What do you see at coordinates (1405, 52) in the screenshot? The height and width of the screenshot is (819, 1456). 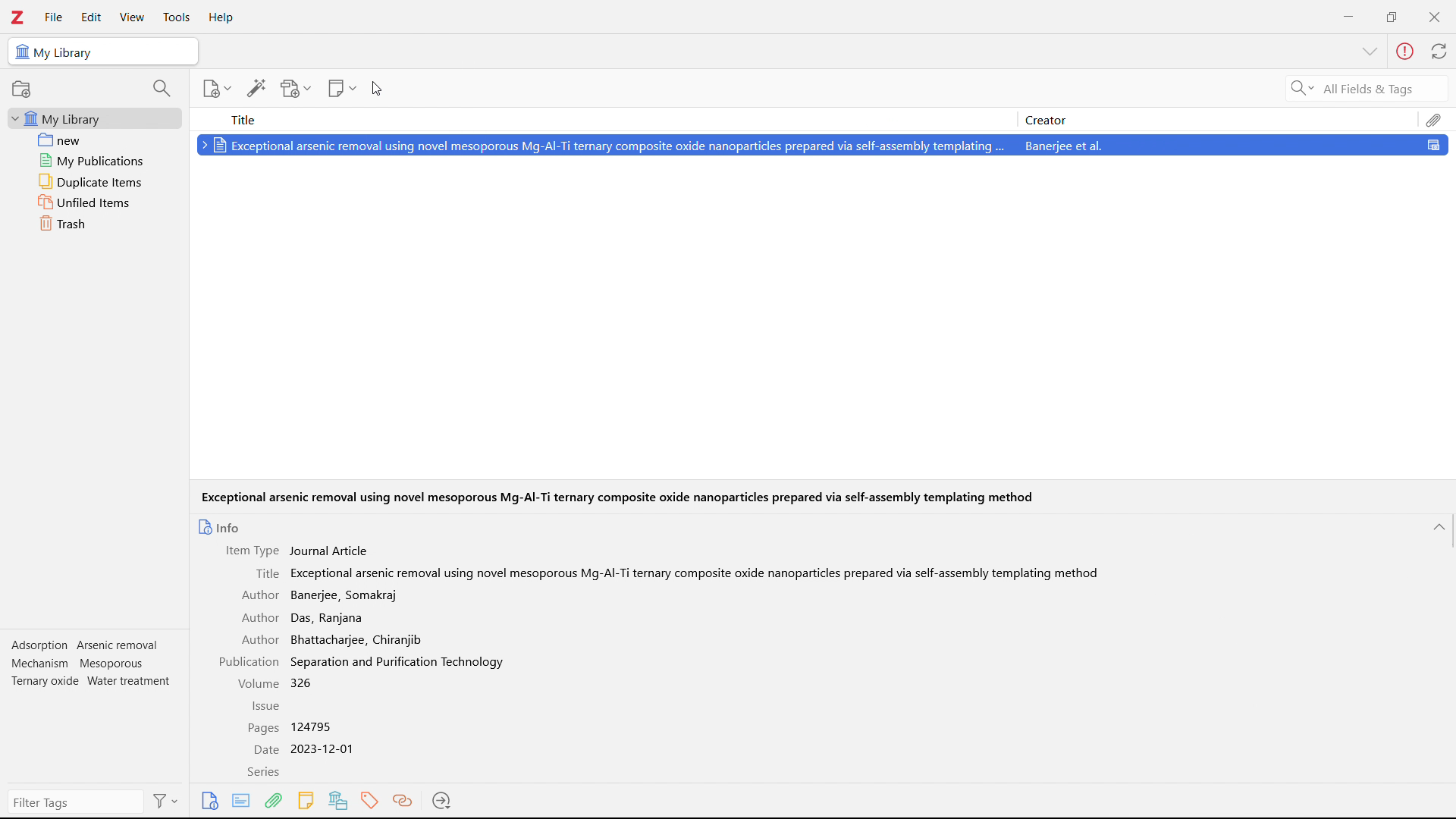 I see `error in sync` at bounding box center [1405, 52].